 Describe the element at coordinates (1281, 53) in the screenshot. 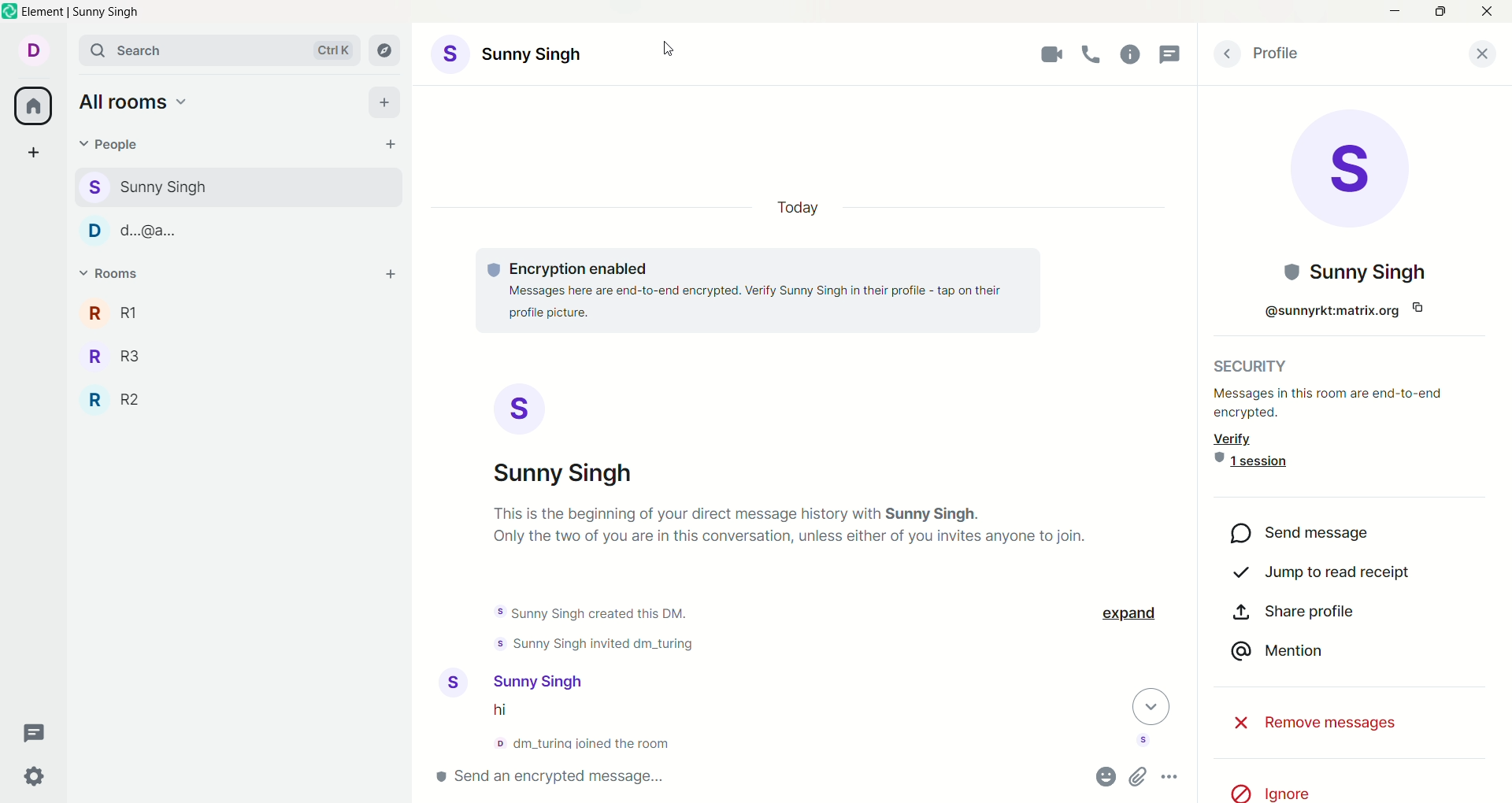

I see `profile` at that location.